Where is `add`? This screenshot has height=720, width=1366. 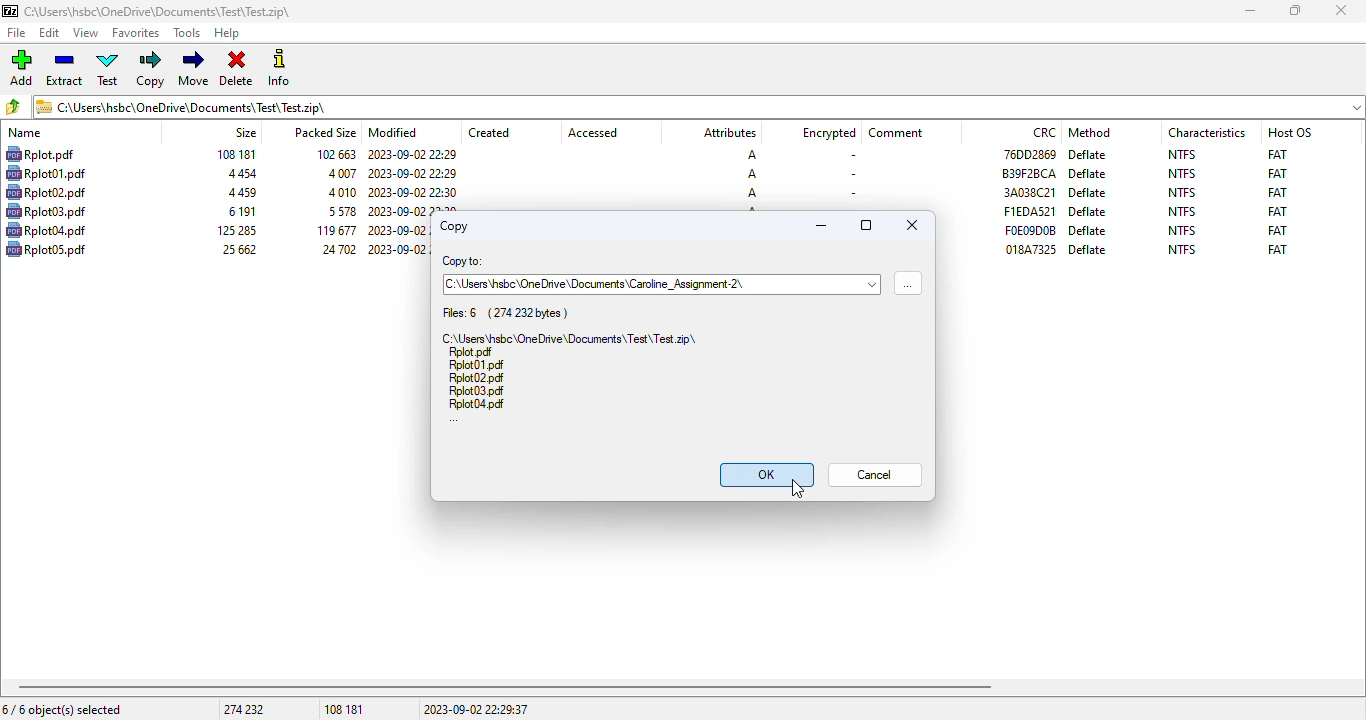 add is located at coordinates (21, 68).